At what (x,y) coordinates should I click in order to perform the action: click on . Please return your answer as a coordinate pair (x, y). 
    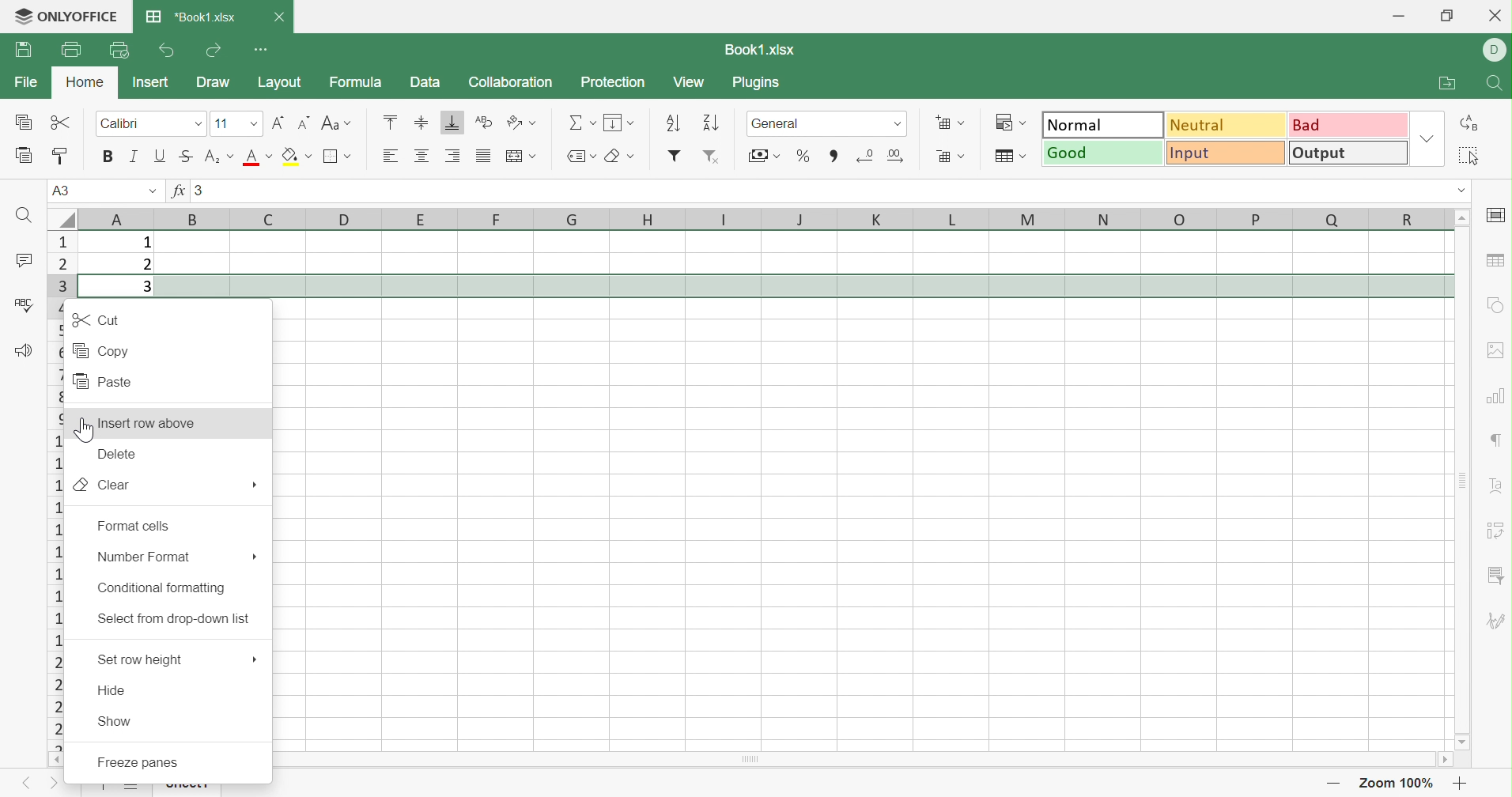
    Looking at the image, I should click on (177, 191).